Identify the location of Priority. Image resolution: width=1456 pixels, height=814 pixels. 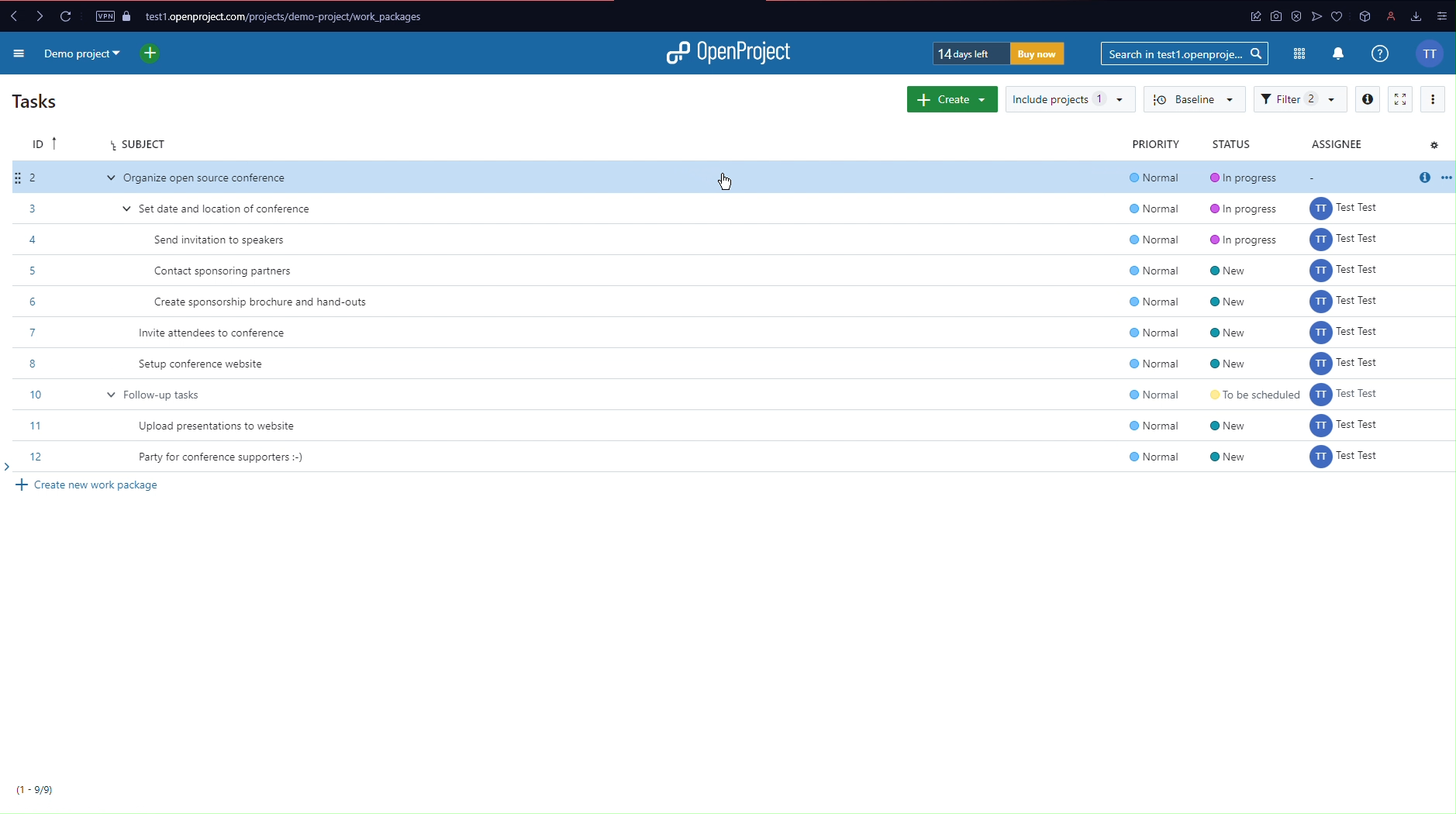
(1156, 143).